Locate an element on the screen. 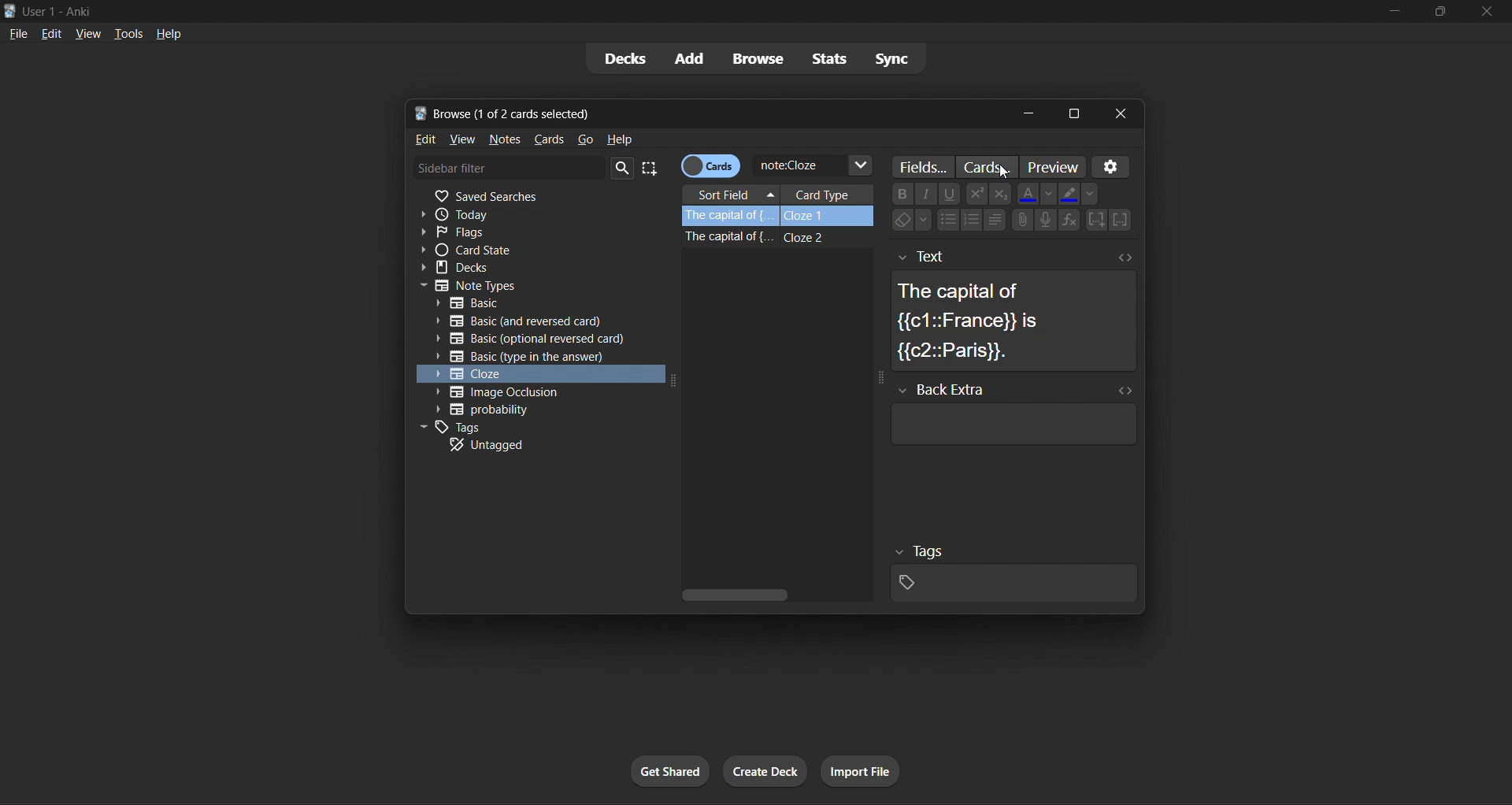 The height and width of the screenshot is (805, 1512). new tab name is located at coordinates (708, 114).